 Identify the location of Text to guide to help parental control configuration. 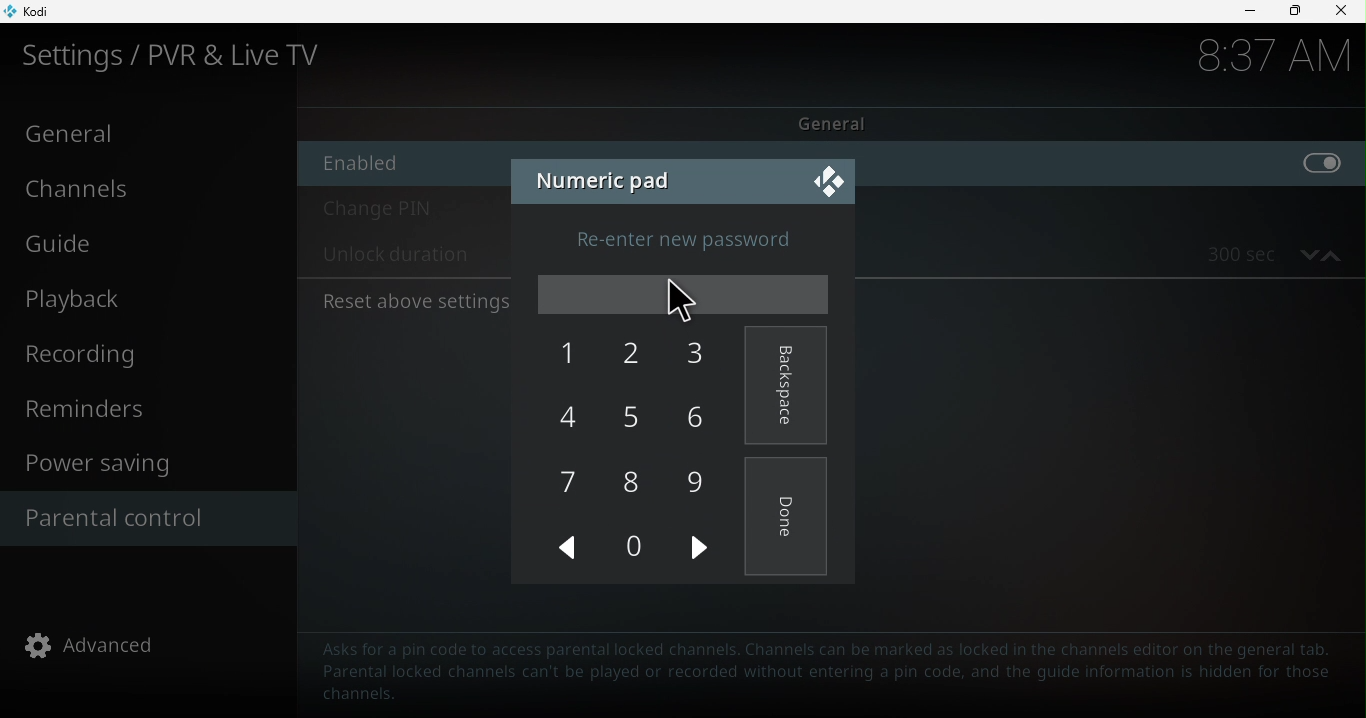
(828, 672).